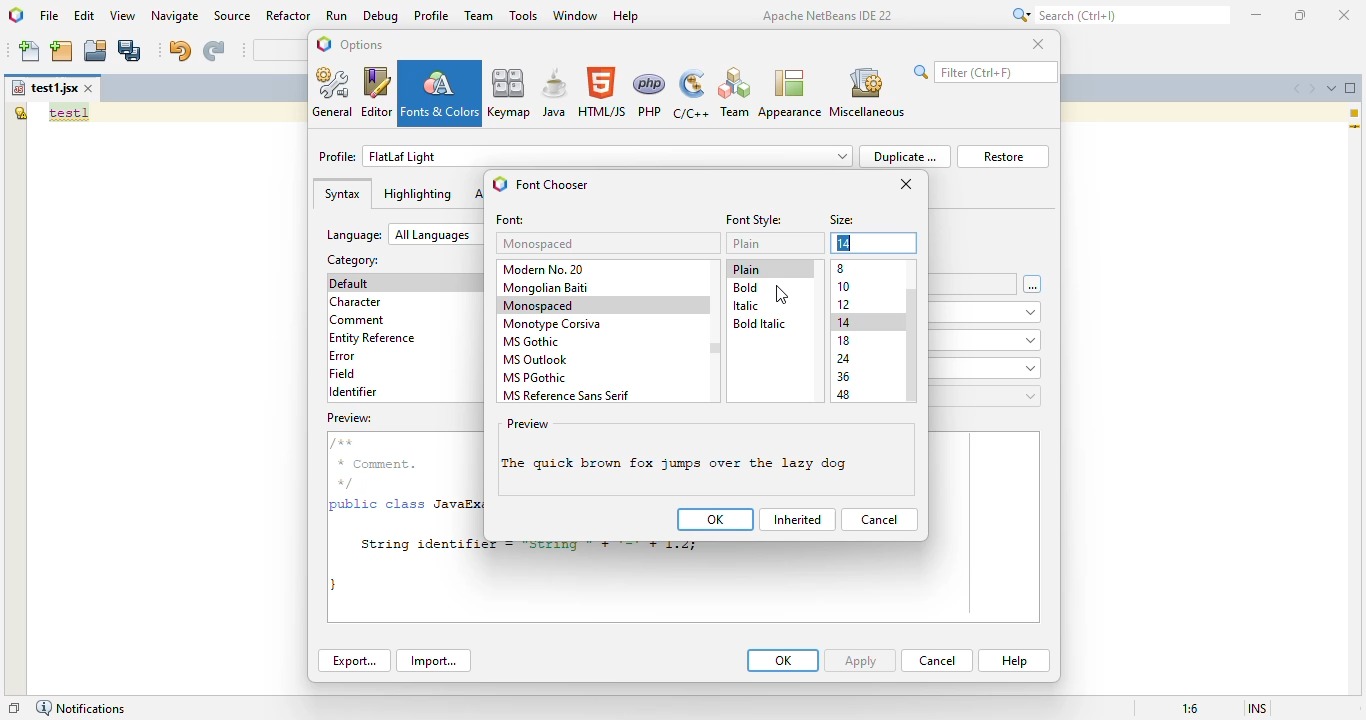 The image size is (1366, 720). Describe the element at coordinates (567, 395) in the screenshot. I see `MS reference sans serif` at that location.